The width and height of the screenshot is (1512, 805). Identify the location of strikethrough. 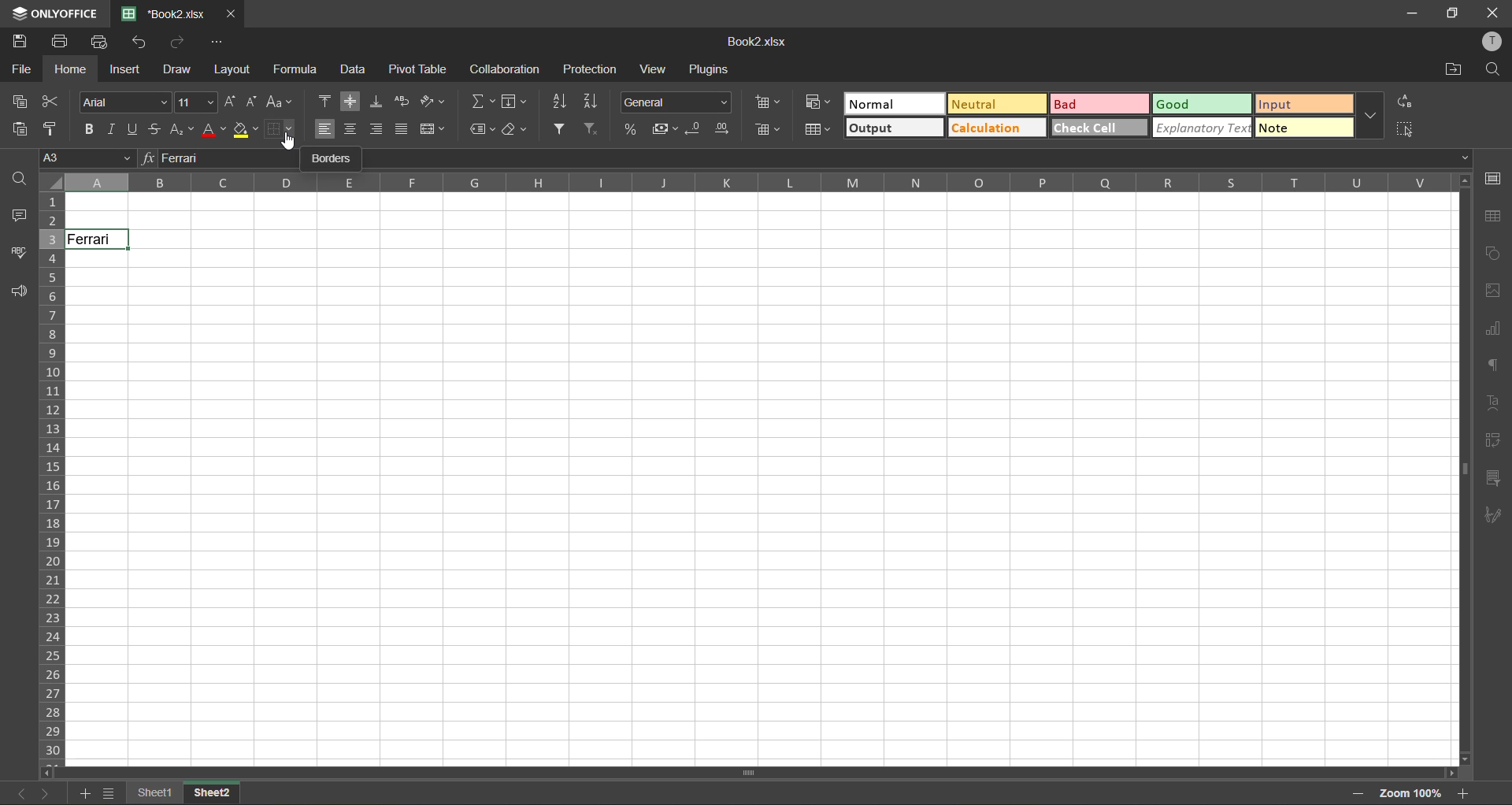
(156, 128).